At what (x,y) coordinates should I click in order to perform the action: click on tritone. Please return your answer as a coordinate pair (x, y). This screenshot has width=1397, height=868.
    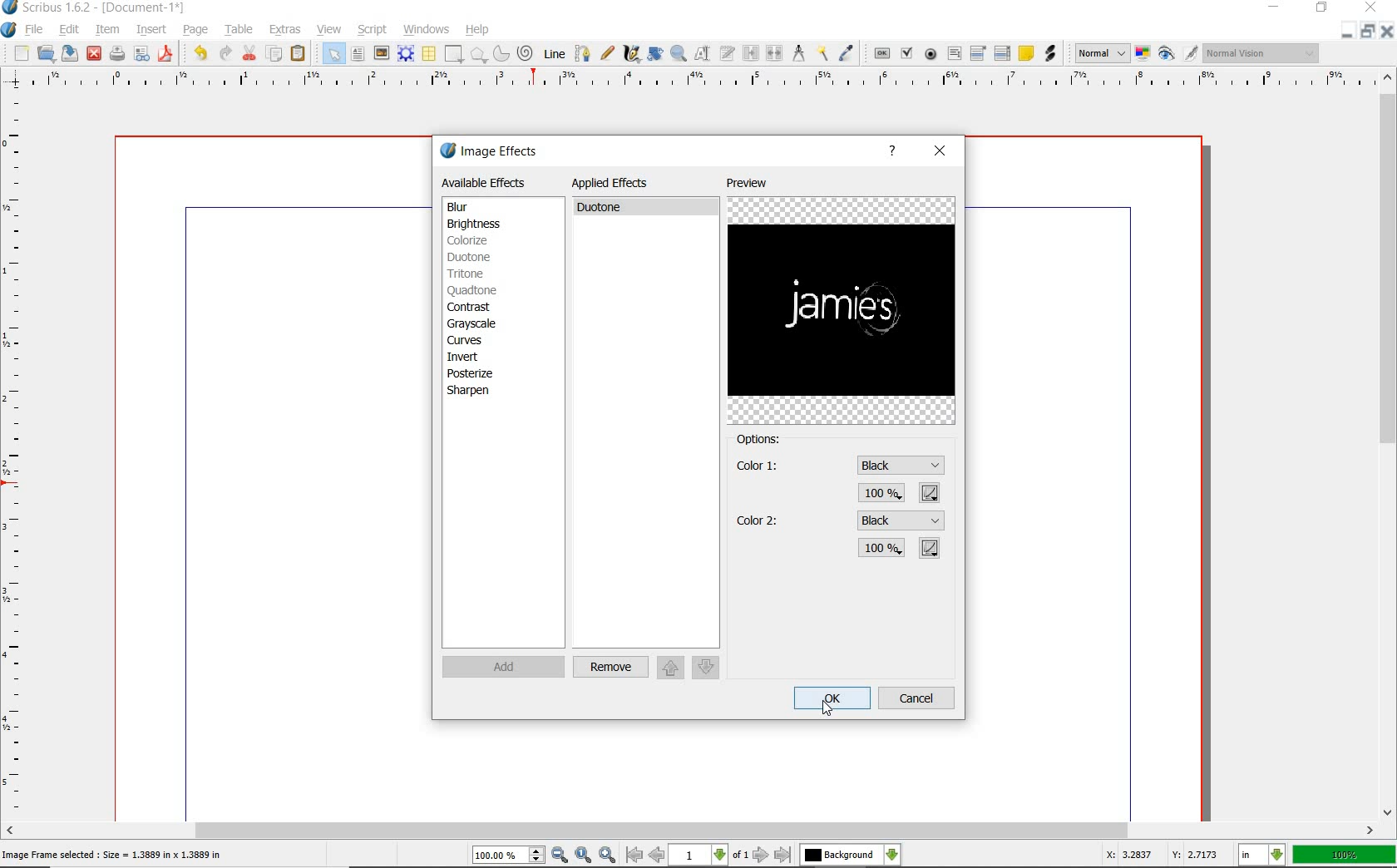
    Looking at the image, I should click on (467, 274).